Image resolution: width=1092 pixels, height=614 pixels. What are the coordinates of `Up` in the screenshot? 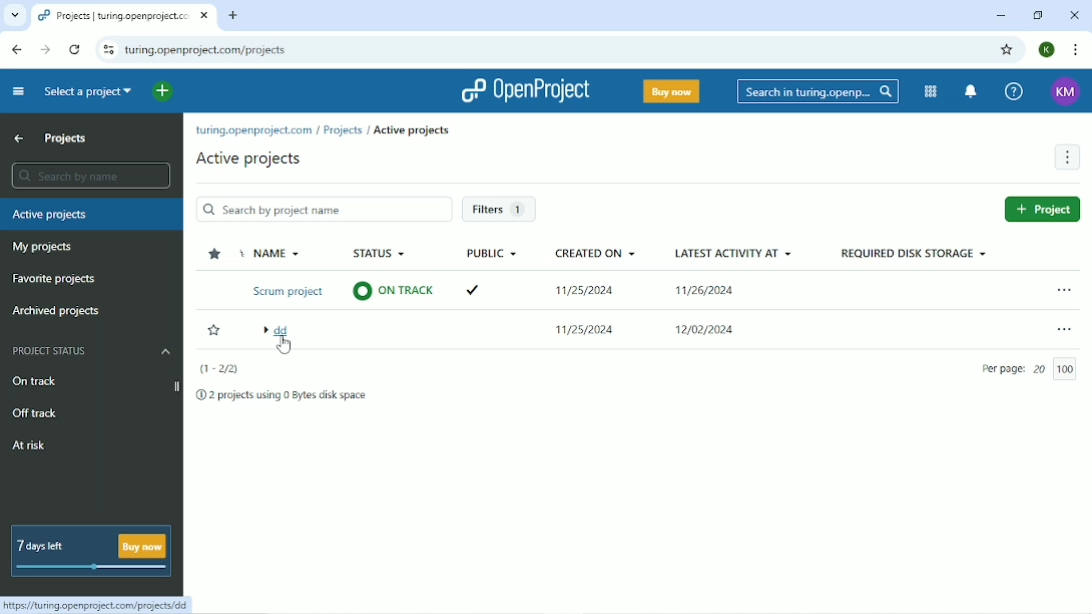 It's located at (20, 139).